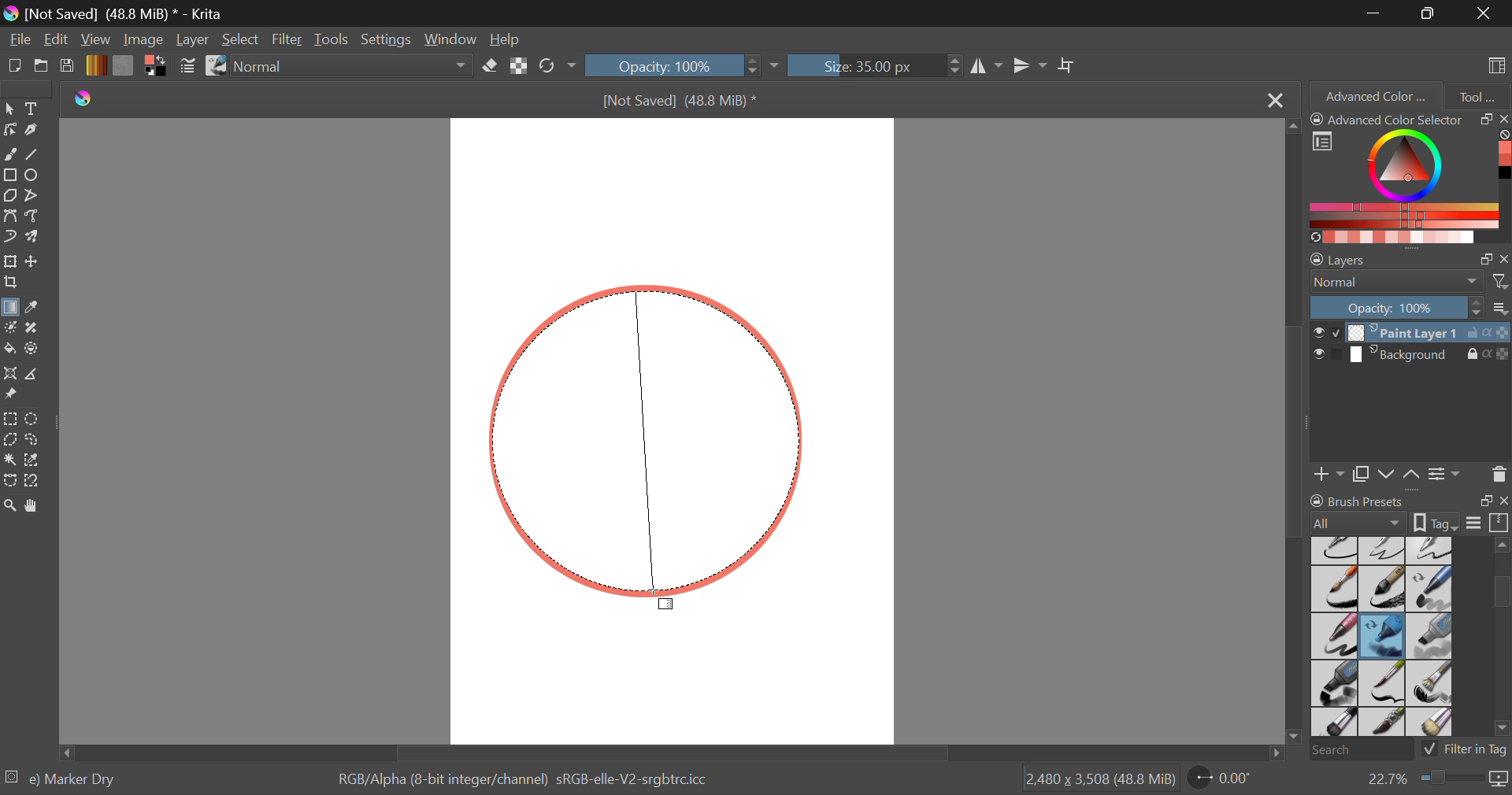 This screenshot has height=795, width=1512. Describe the element at coordinates (518, 66) in the screenshot. I see `Preserve Alpha` at that location.